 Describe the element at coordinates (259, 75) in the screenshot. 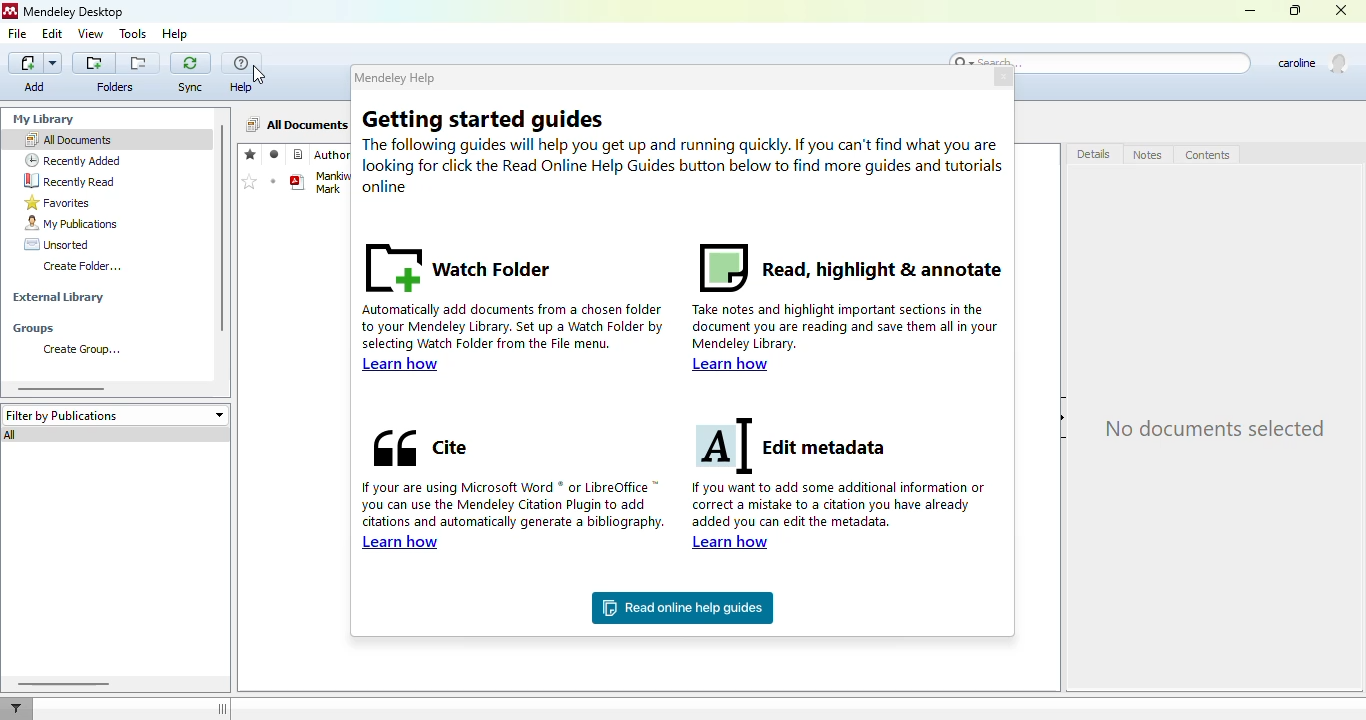

I see `cursor` at that location.